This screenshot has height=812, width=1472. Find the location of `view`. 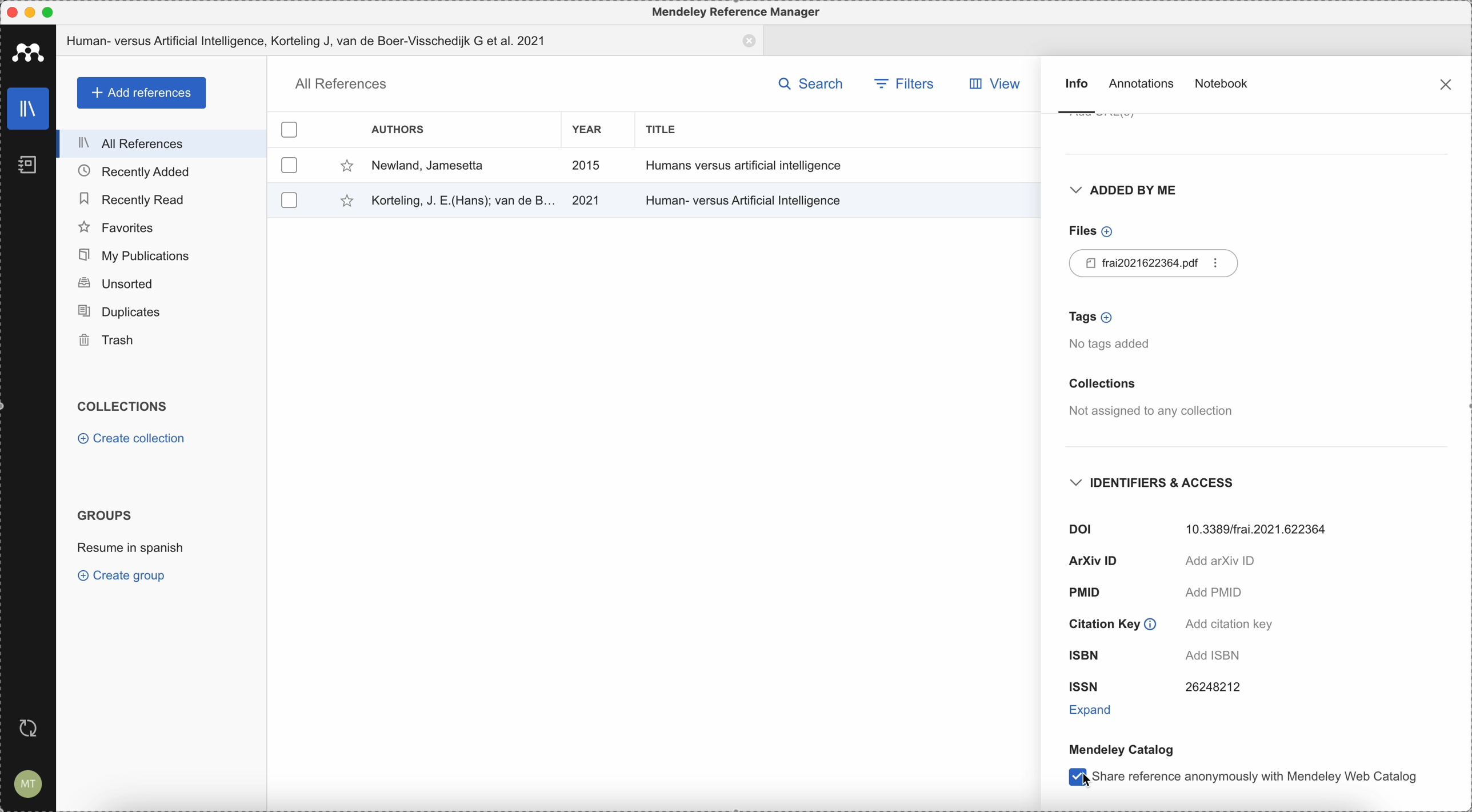

view is located at coordinates (1000, 84).